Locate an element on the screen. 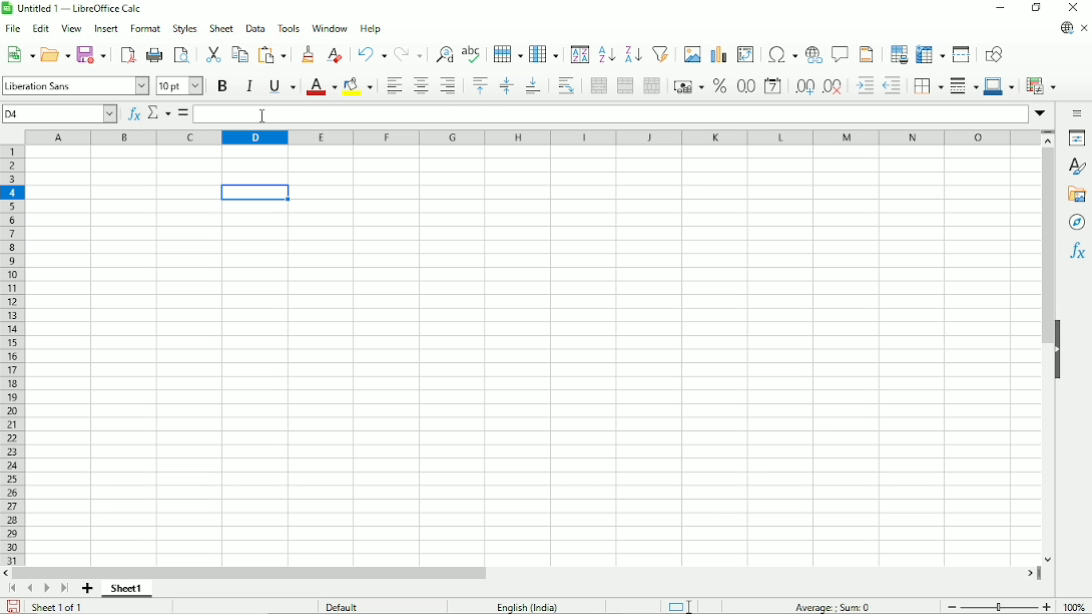  Help is located at coordinates (371, 28).